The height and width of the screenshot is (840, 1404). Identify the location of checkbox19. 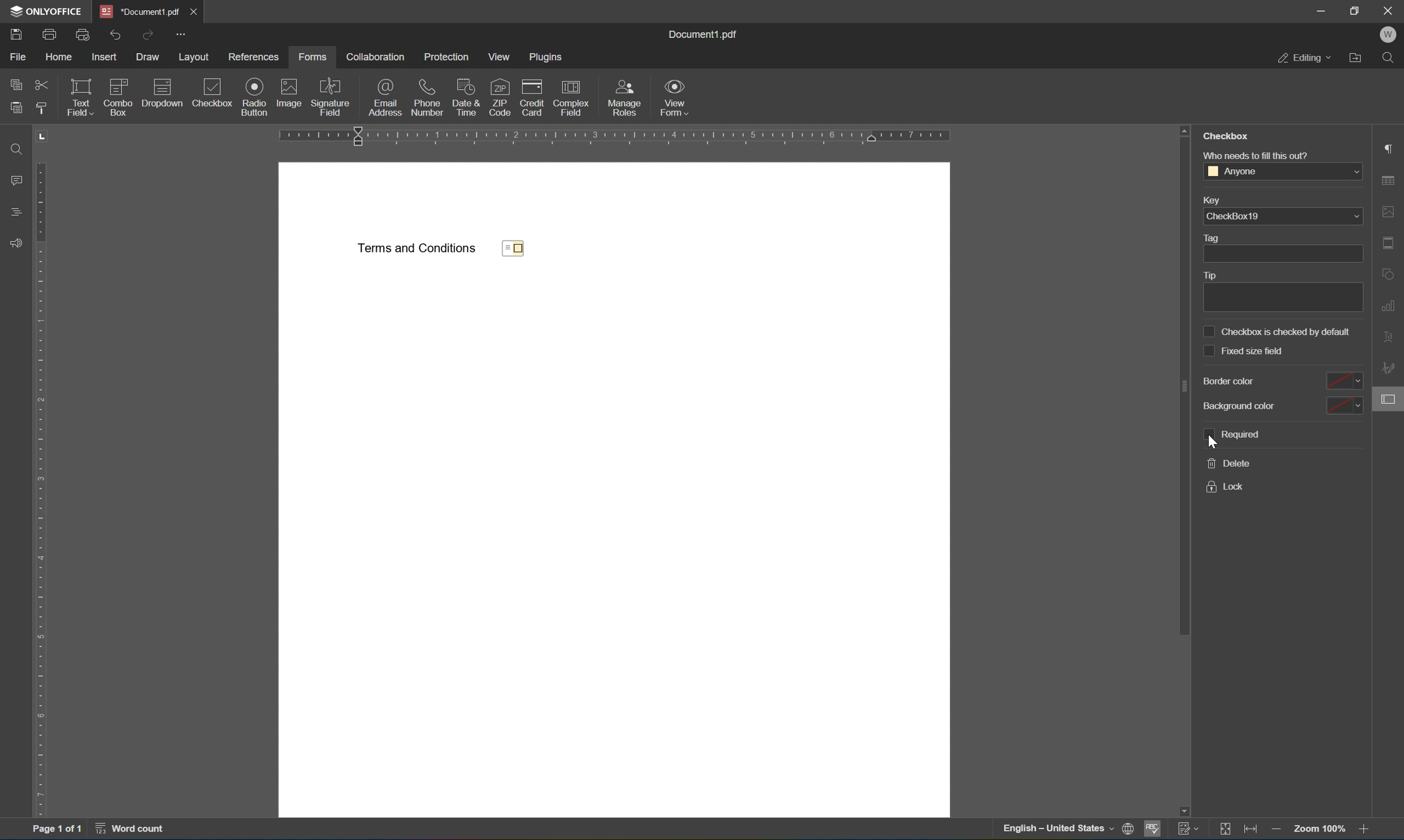
(1233, 217).